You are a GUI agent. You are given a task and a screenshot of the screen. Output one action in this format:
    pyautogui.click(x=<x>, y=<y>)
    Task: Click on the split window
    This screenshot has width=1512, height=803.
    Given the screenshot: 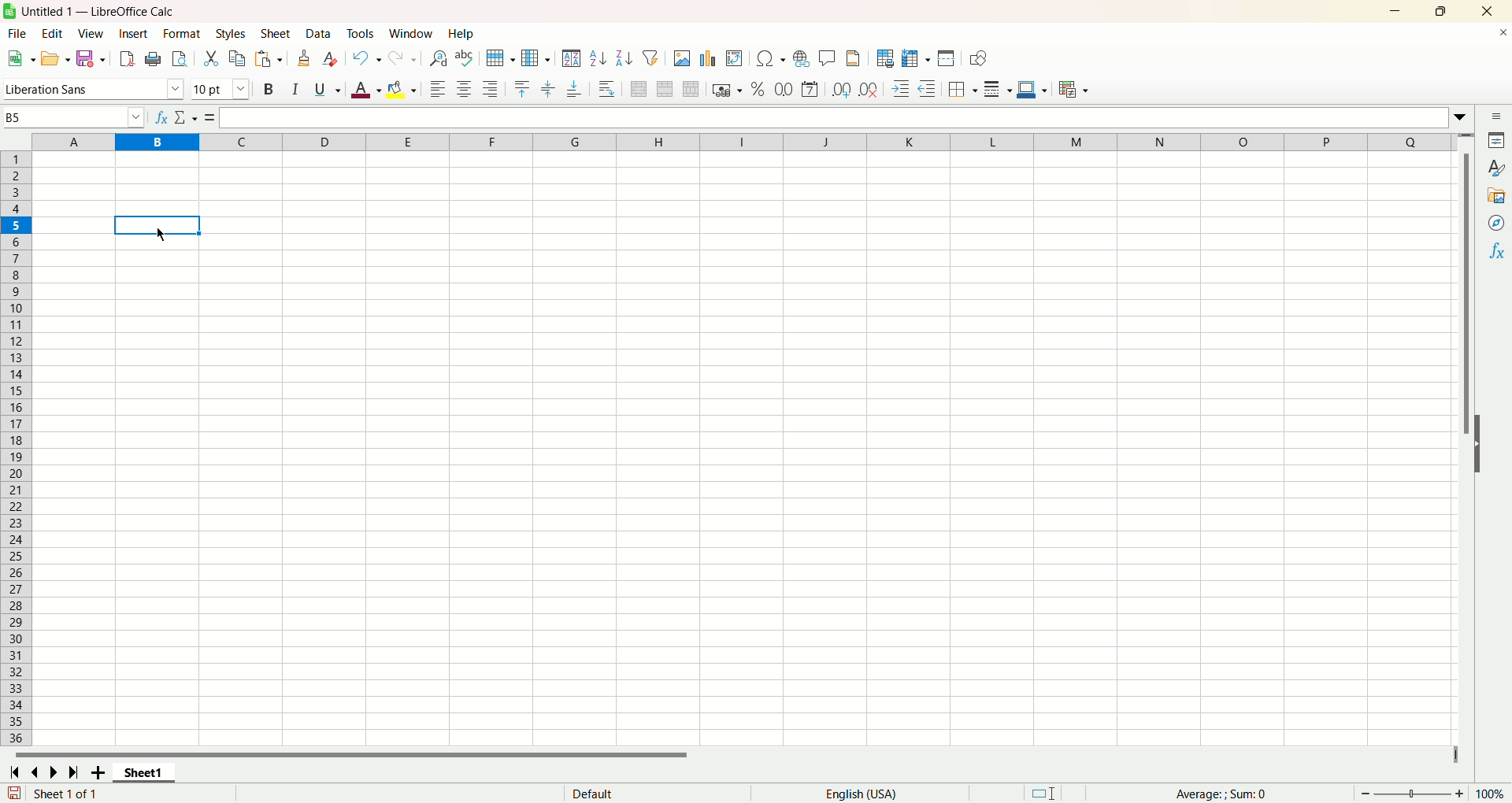 What is the action you would take?
    pyautogui.click(x=945, y=60)
    